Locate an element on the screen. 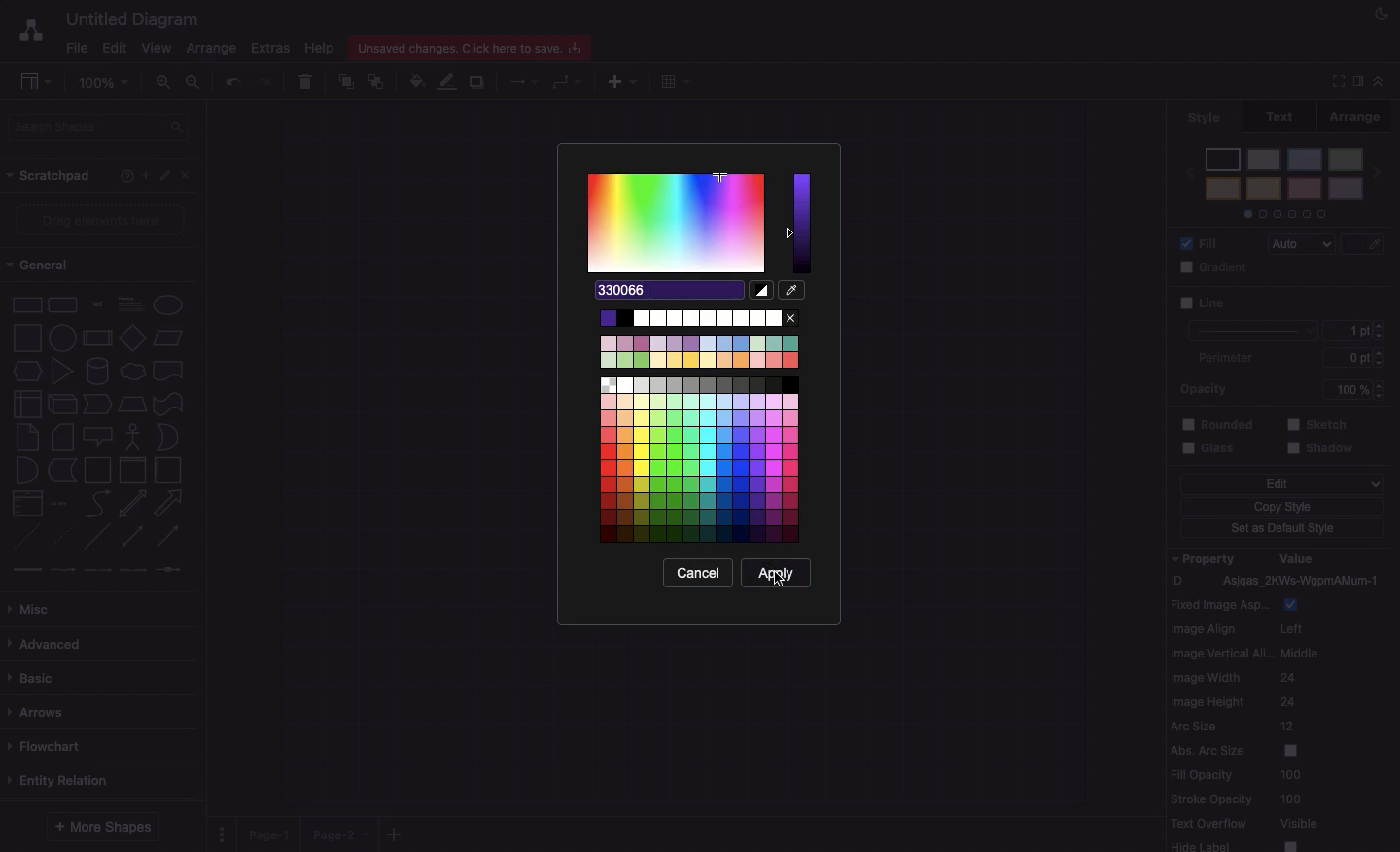  Cursor is located at coordinates (779, 581).